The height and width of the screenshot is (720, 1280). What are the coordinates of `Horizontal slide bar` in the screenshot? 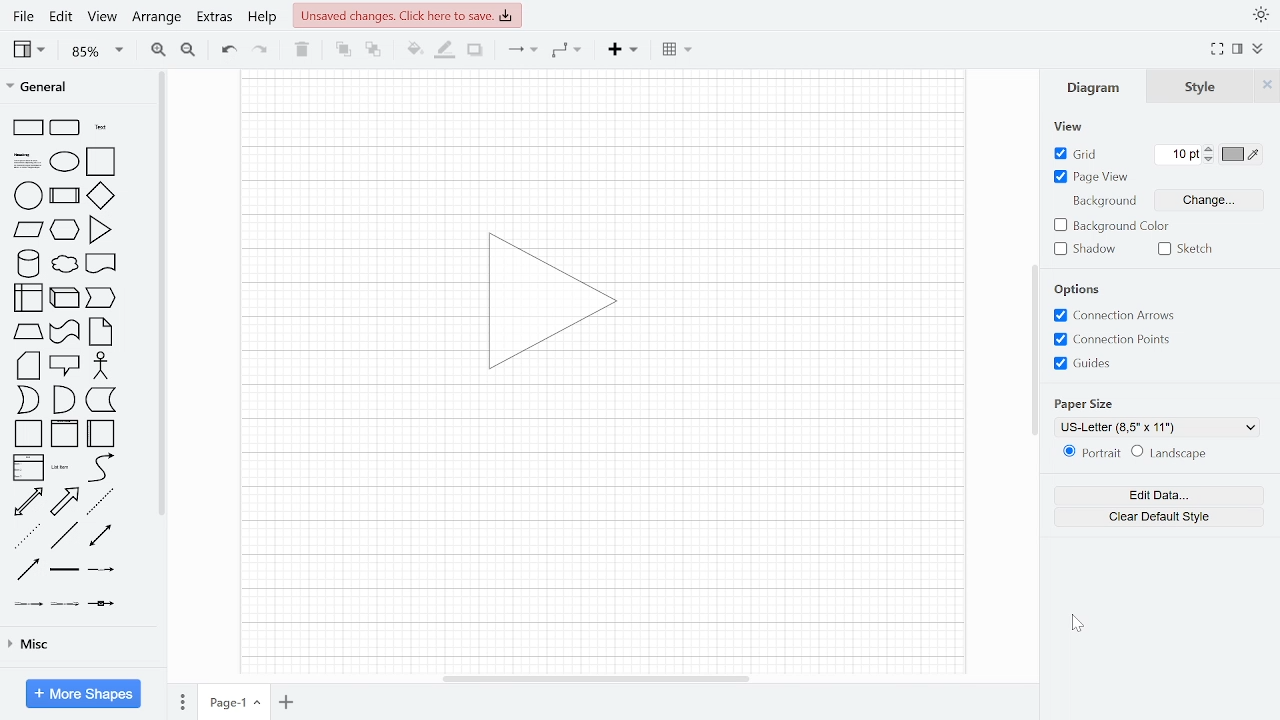 It's located at (596, 679).